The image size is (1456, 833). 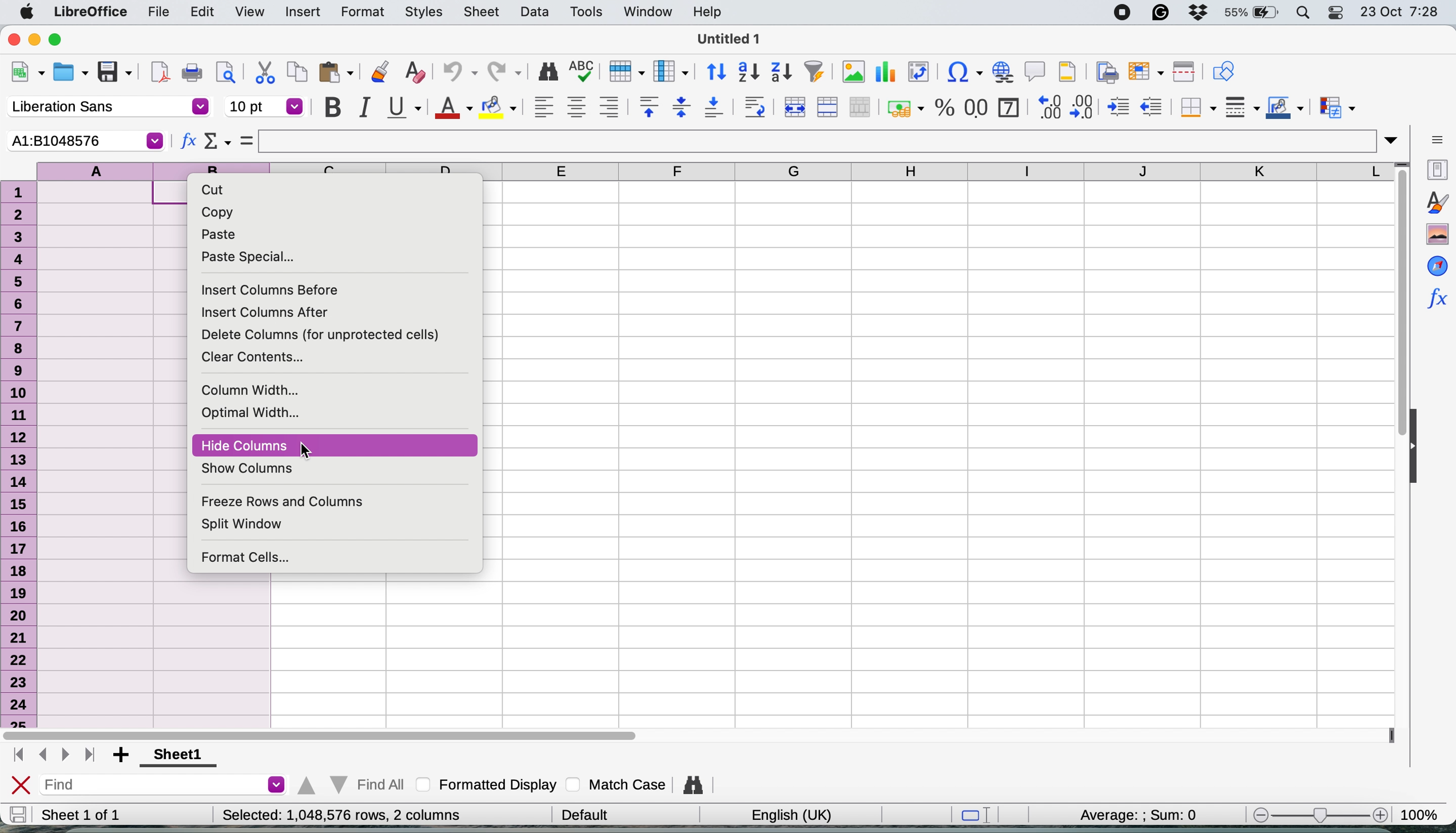 What do you see at coordinates (245, 446) in the screenshot?
I see `hide columns` at bounding box center [245, 446].